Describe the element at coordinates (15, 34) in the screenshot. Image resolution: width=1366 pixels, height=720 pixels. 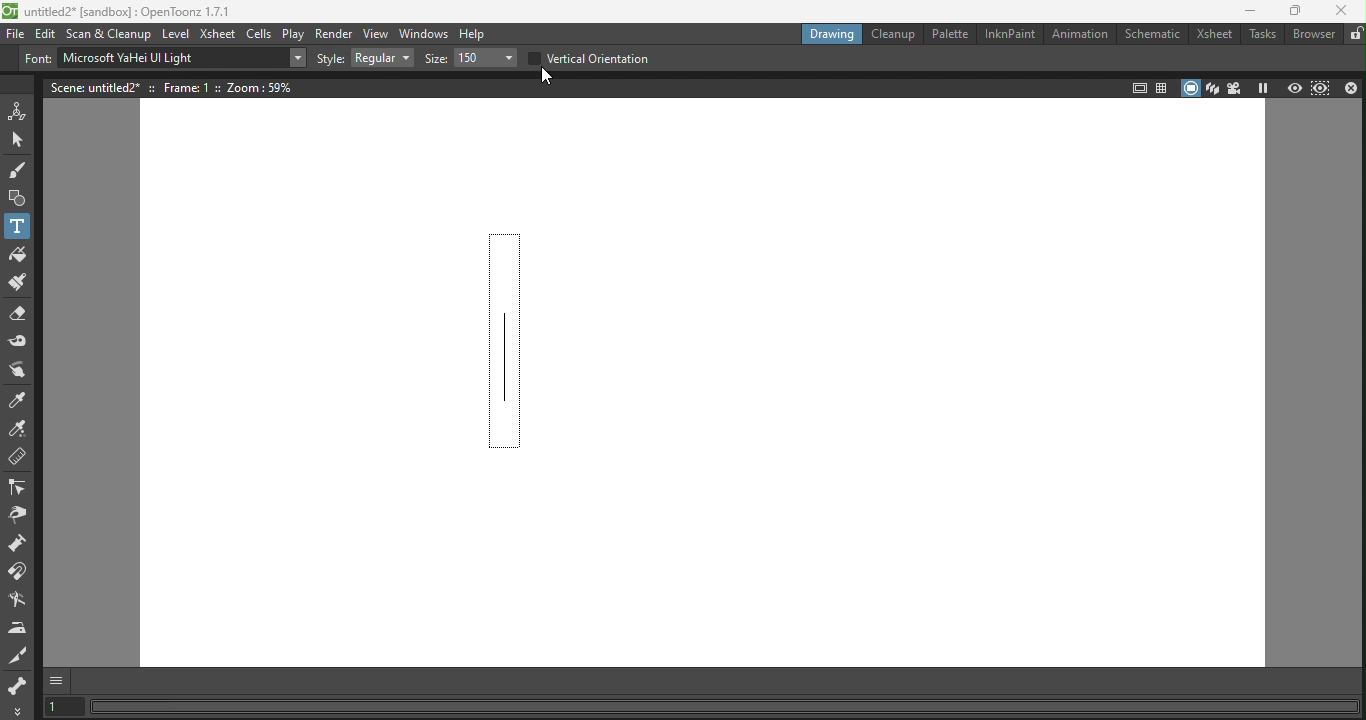
I see `File` at that location.